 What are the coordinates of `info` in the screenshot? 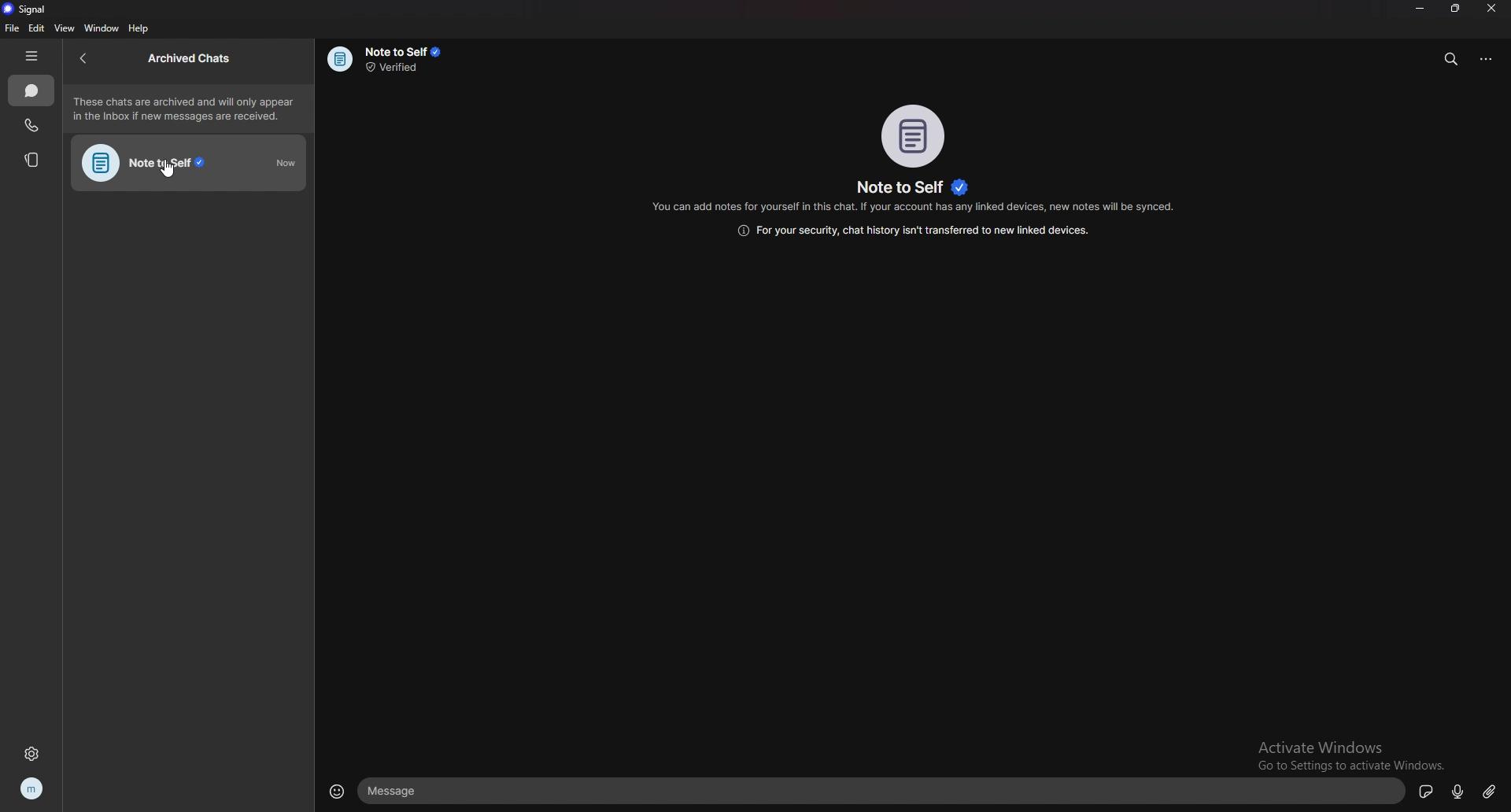 It's located at (386, 58).